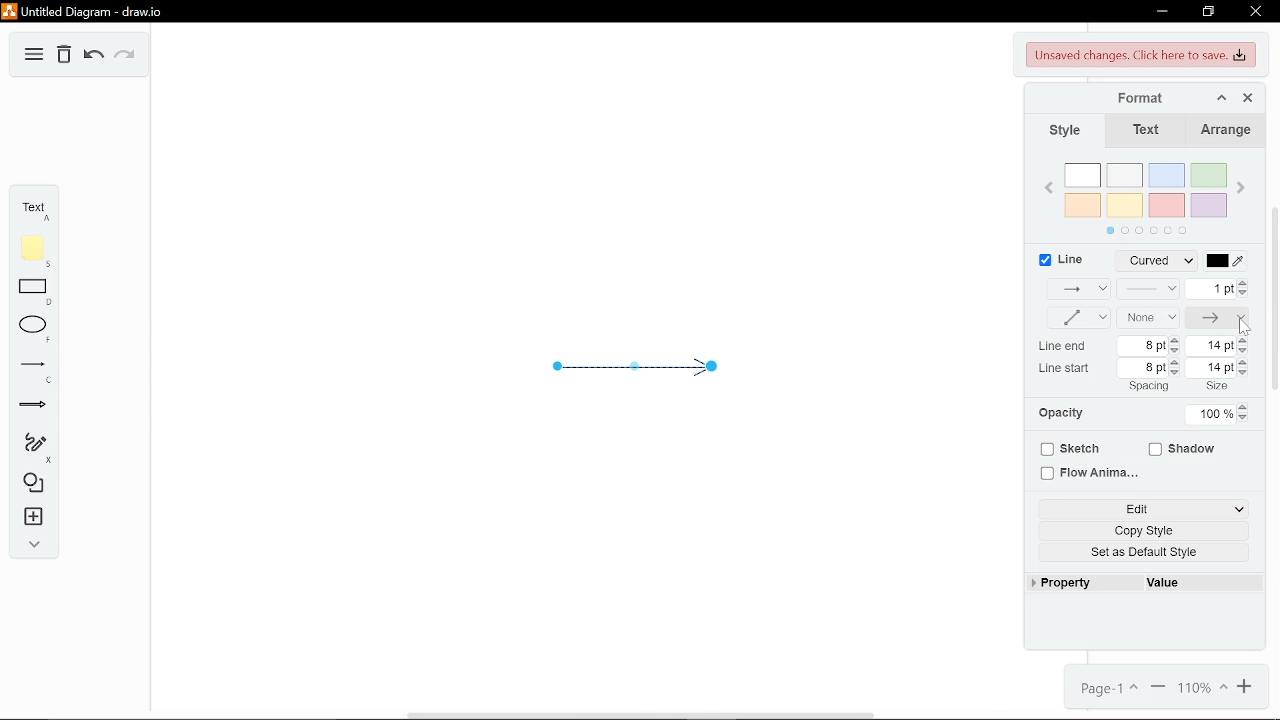 Image resolution: width=1280 pixels, height=720 pixels. What do you see at coordinates (1139, 56) in the screenshot?
I see `Unsaved changes. click here to save` at bounding box center [1139, 56].